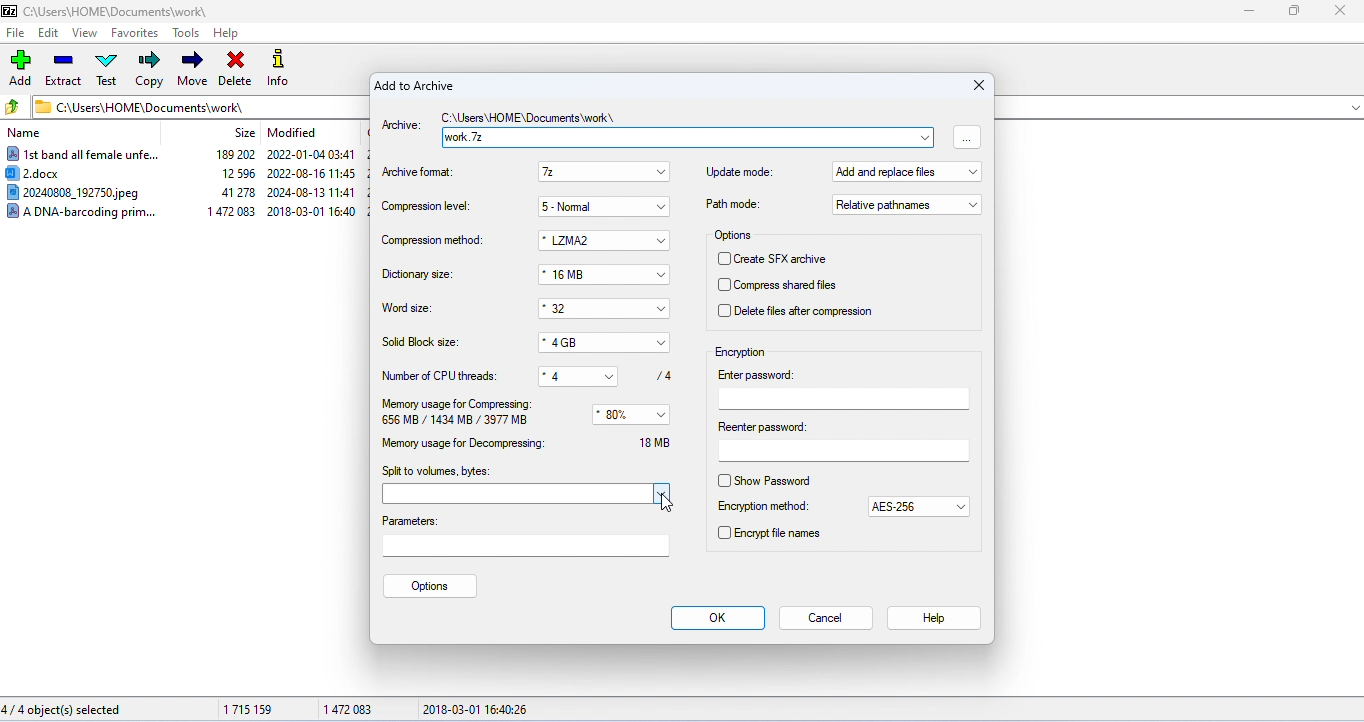  Describe the element at coordinates (140, 106) in the screenshot. I see `CAUsers\HOME\Documents\work\` at that location.